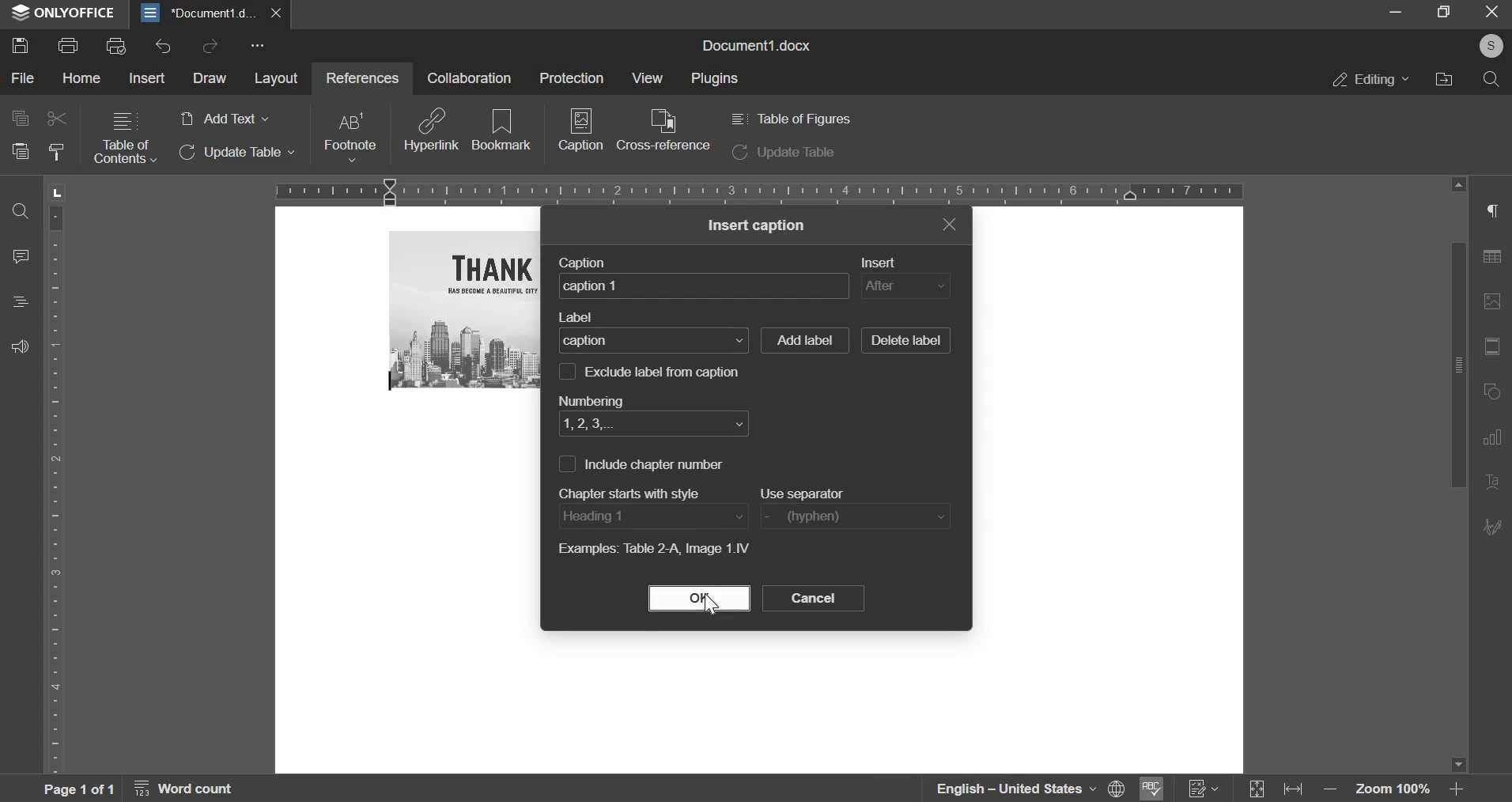 This screenshot has width=1512, height=802. Describe the element at coordinates (56, 153) in the screenshot. I see `clear style` at that location.